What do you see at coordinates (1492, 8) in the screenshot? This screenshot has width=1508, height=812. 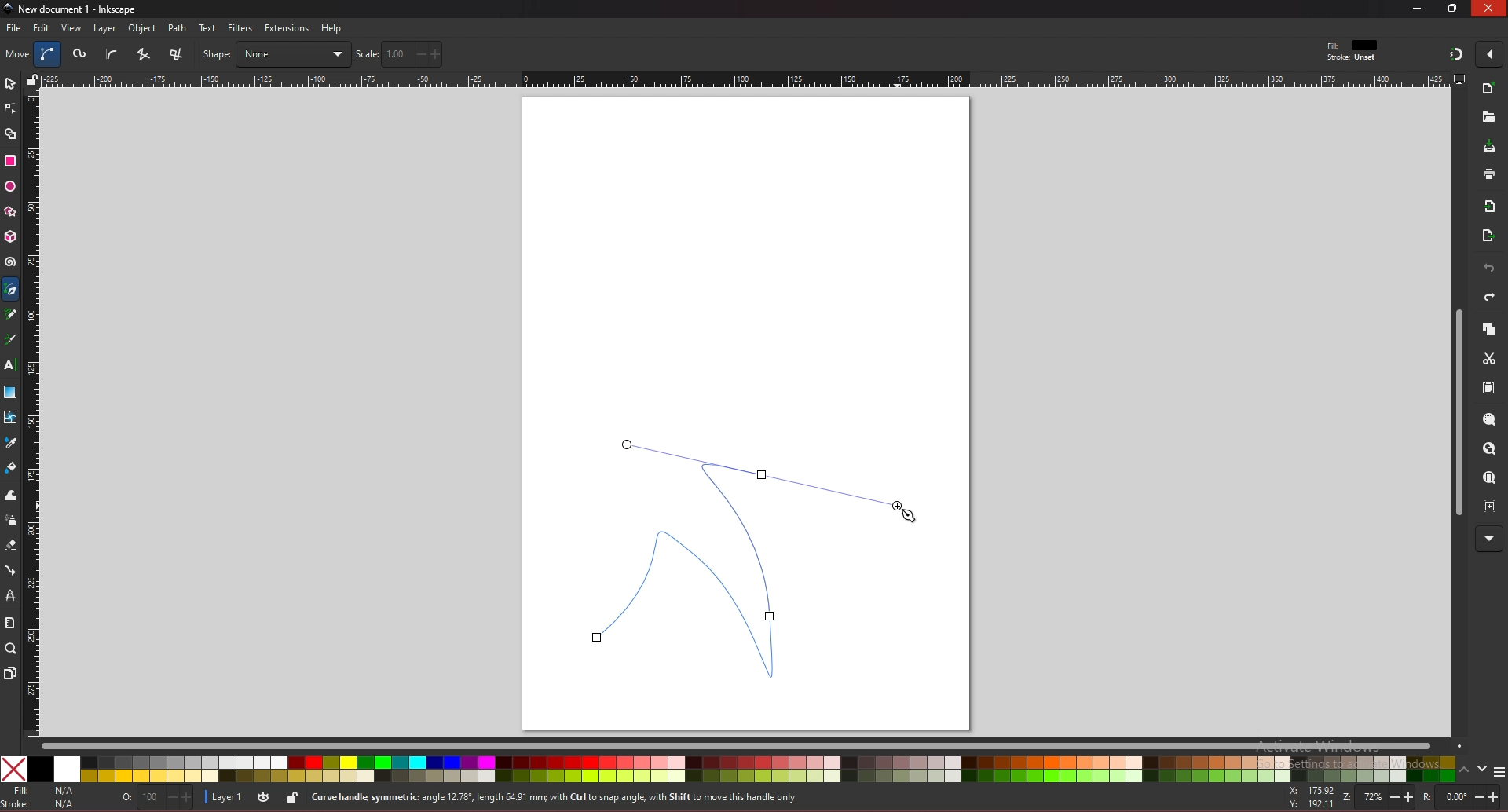 I see `close` at bounding box center [1492, 8].